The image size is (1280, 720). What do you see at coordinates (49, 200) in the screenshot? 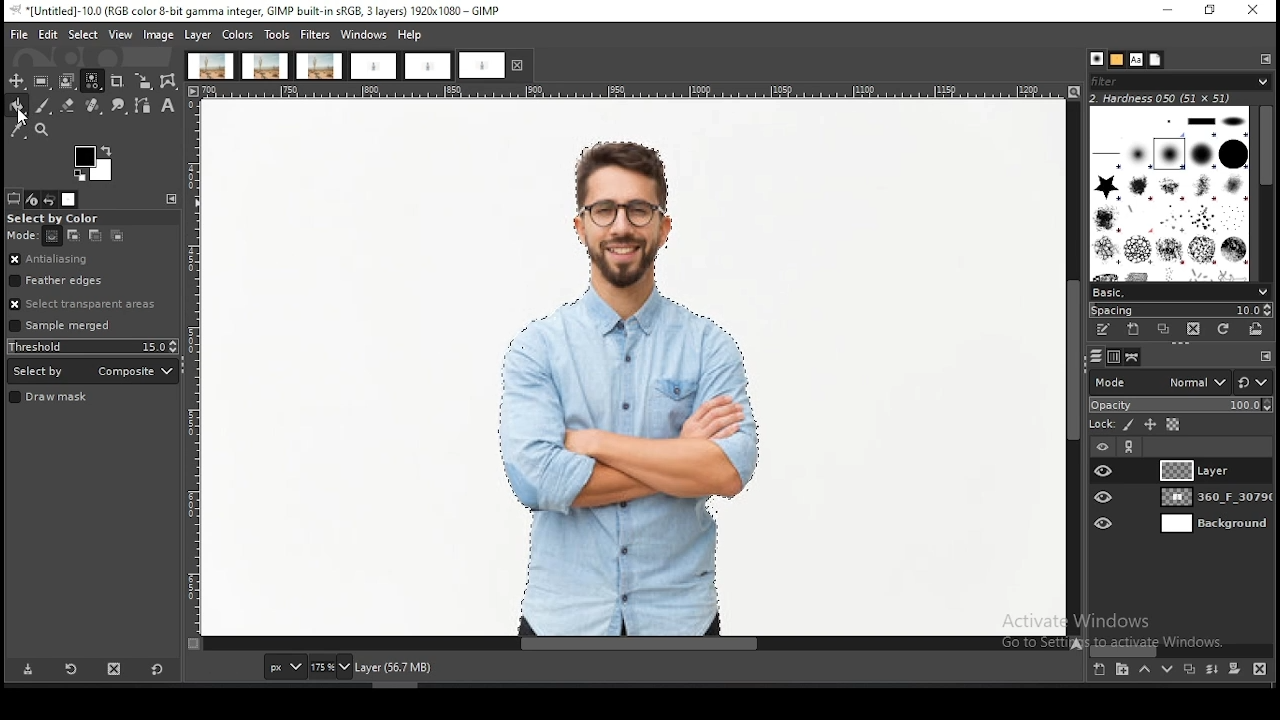
I see `undo history` at bounding box center [49, 200].